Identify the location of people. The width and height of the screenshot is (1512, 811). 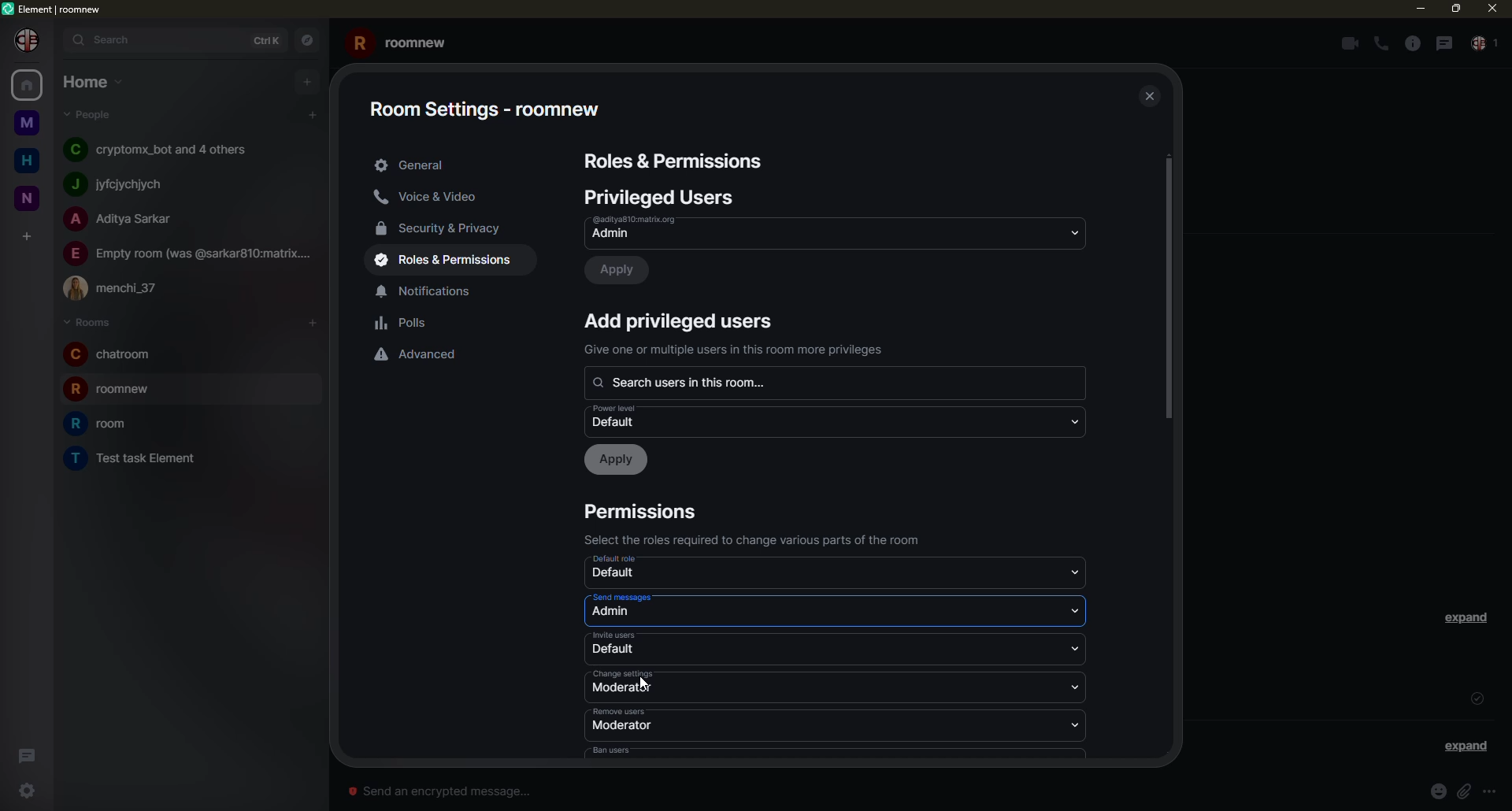
(119, 288).